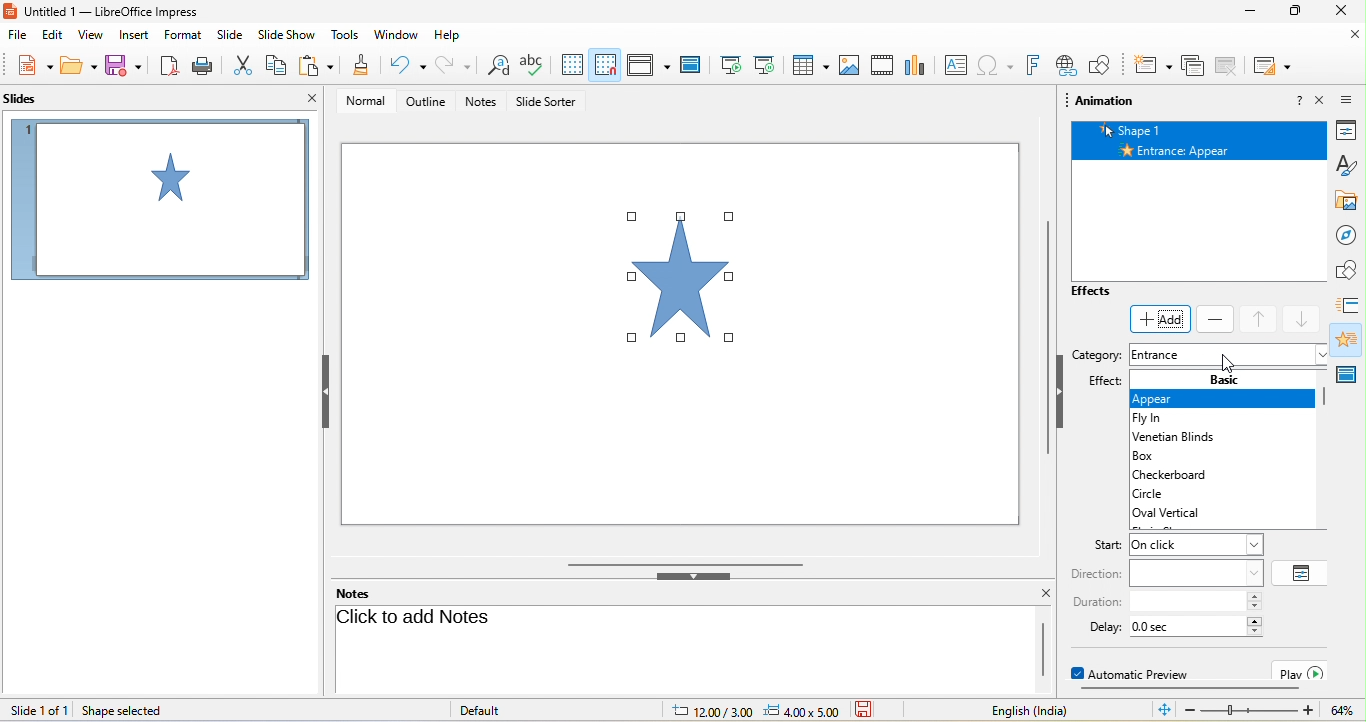 The image size is (1366, 722). Describe the element at coordinates (88, 36) in the screenshot. I see `view` at that location.